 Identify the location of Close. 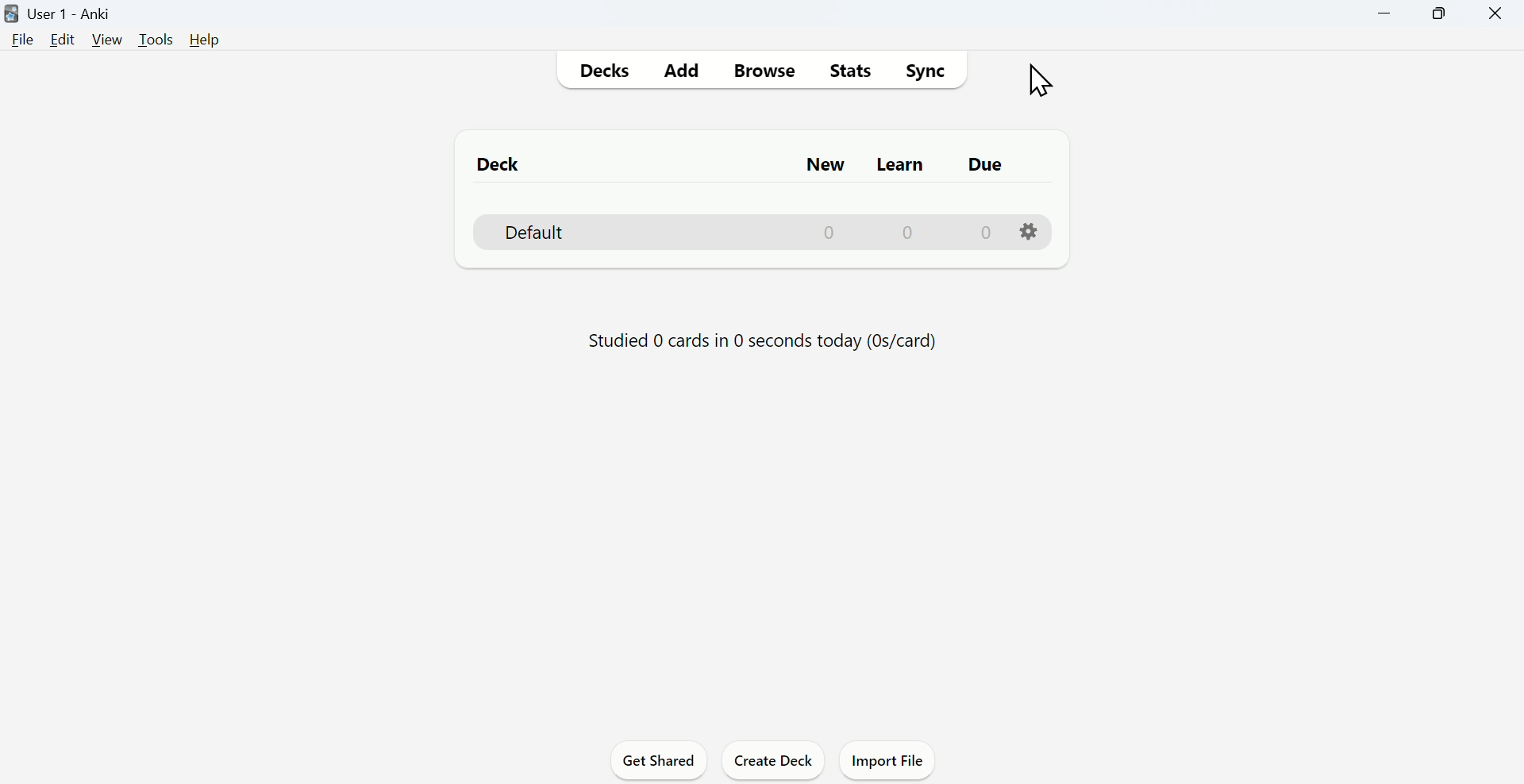
(1498, 16).